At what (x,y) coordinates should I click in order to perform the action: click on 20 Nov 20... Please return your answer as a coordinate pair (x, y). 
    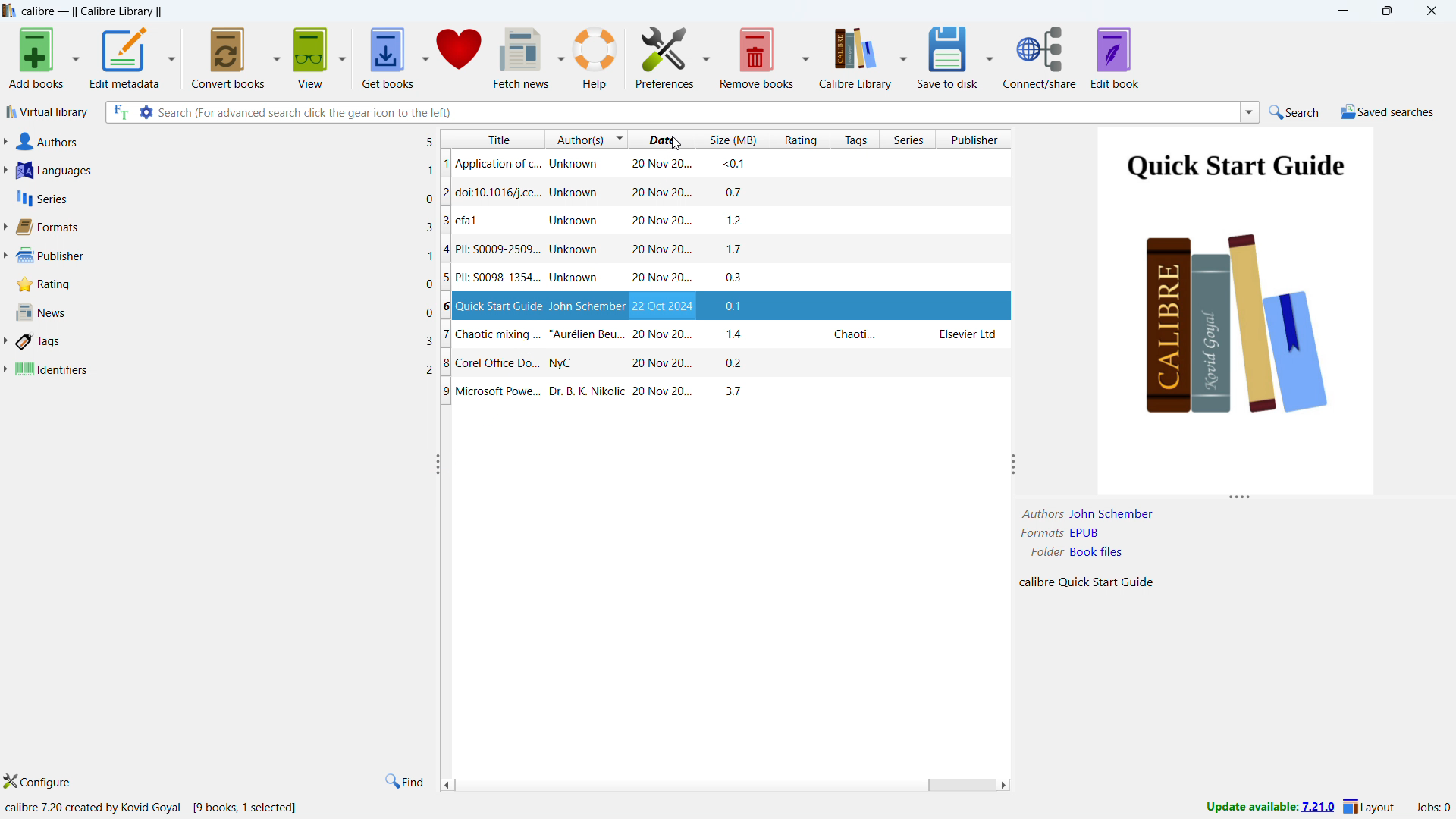
    Looking at the image, I should click on (662, 163).